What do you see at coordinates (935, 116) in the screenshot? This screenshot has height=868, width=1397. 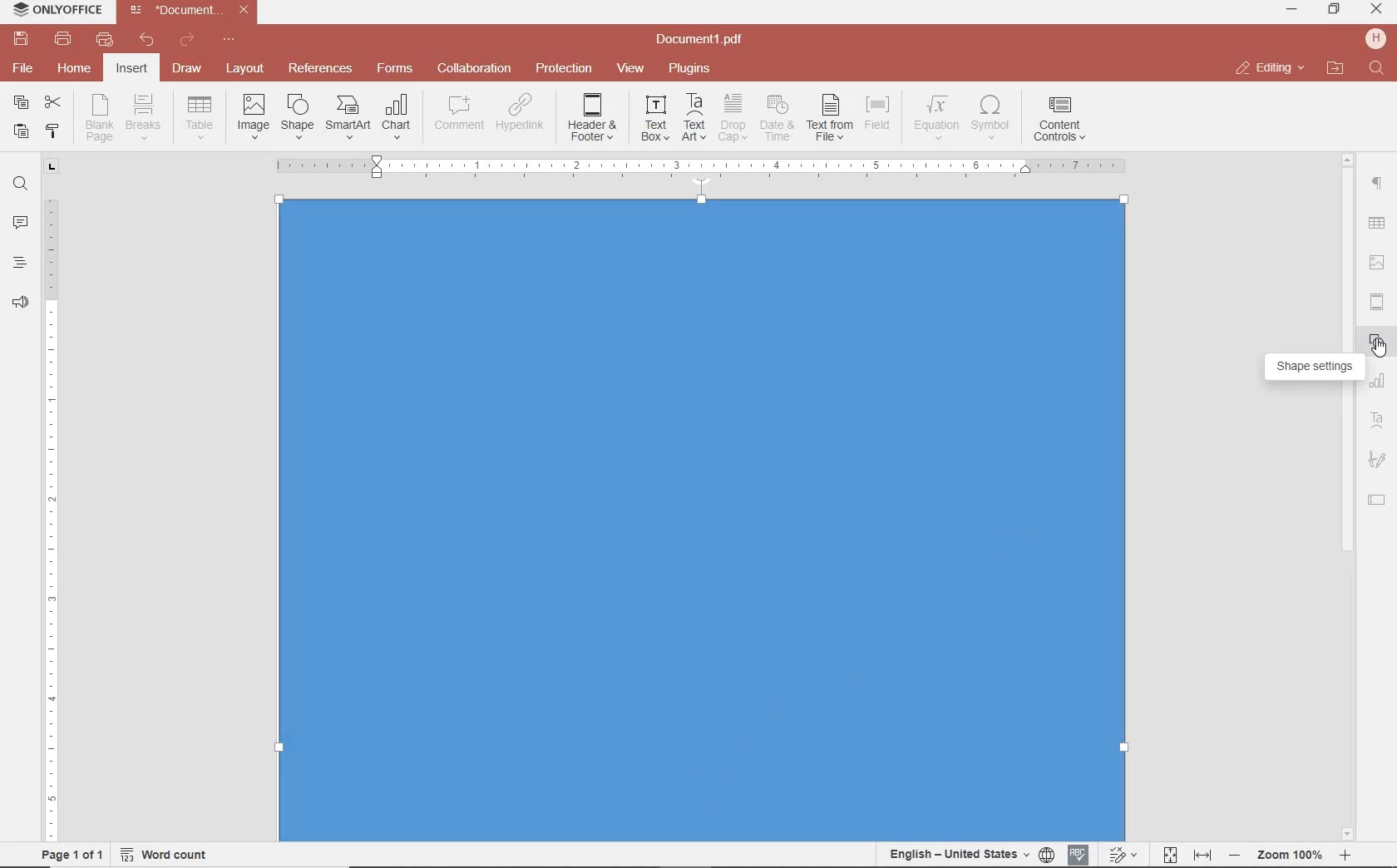 I see `NSERT EQUATION` at bounding box center [935, 116].